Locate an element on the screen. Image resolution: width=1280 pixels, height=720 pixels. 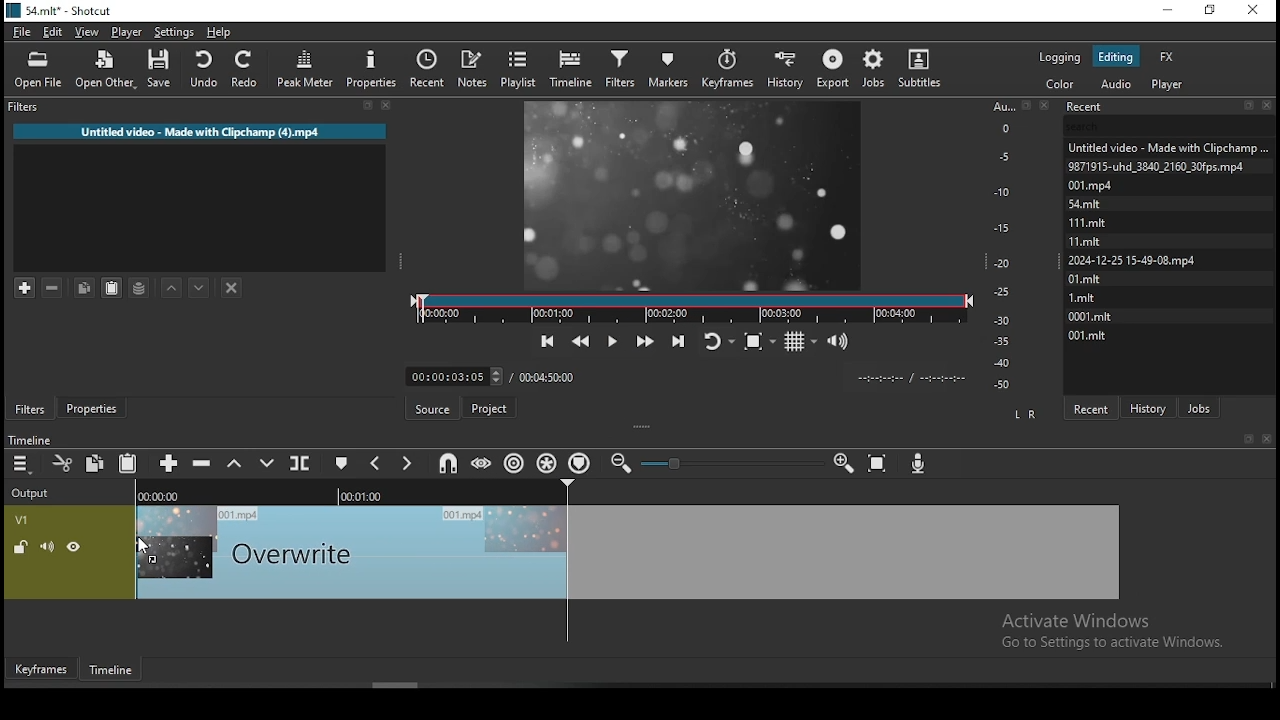
logging is located at coordinates (1062, 59).